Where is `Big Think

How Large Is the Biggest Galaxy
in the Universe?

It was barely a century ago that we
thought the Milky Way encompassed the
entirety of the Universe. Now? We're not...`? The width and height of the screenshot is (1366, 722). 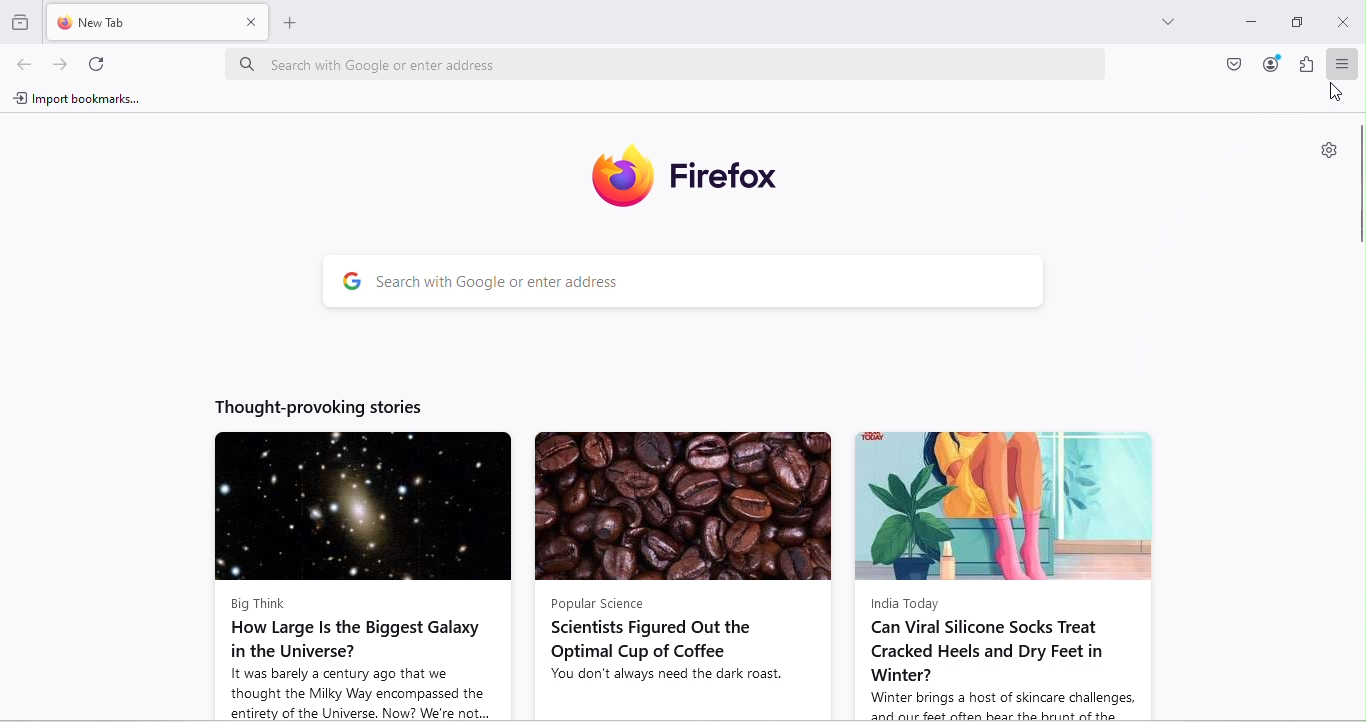 Big Think

How Large Is the Biggest Galaxy
in the Universe?

It was barely a century ago that we
thought the Milky Way encompassed the
entirety of the Universe. Now? We're not... is located at coordinates (358, 656).